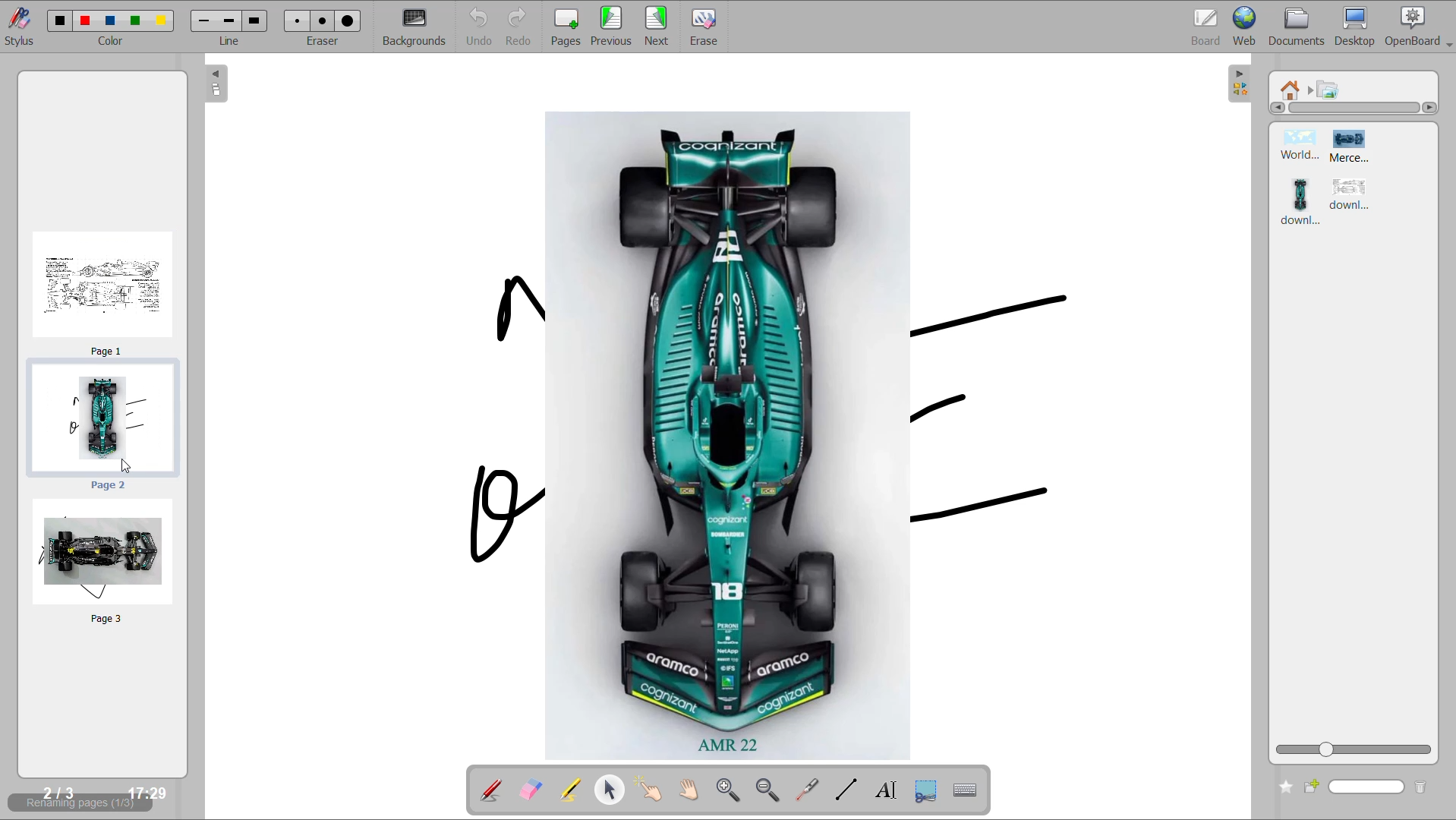  I want to click on highlight, so click(570, 788).